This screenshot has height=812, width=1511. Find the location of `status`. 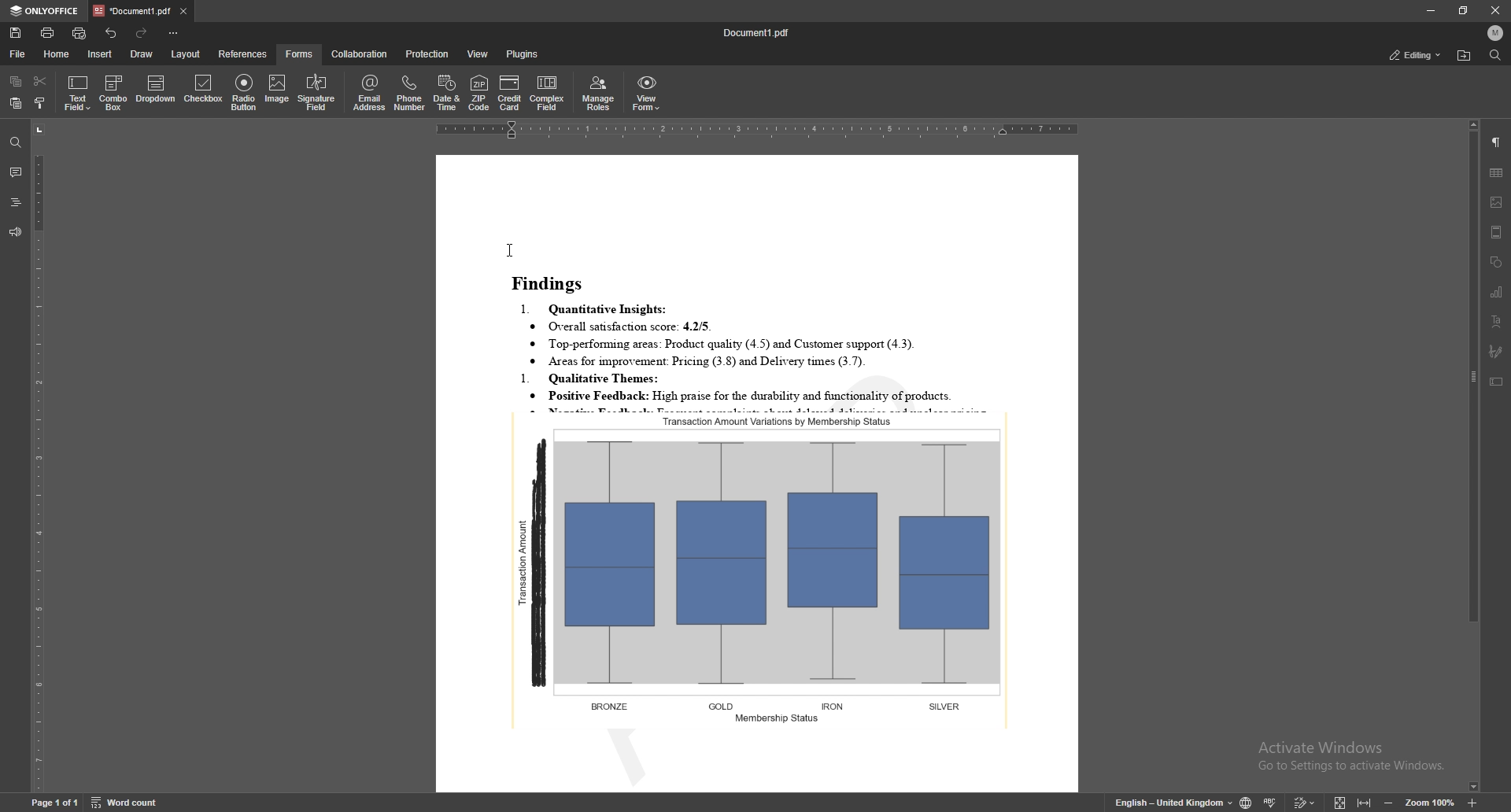

status is located at coordinates (1416, 55).